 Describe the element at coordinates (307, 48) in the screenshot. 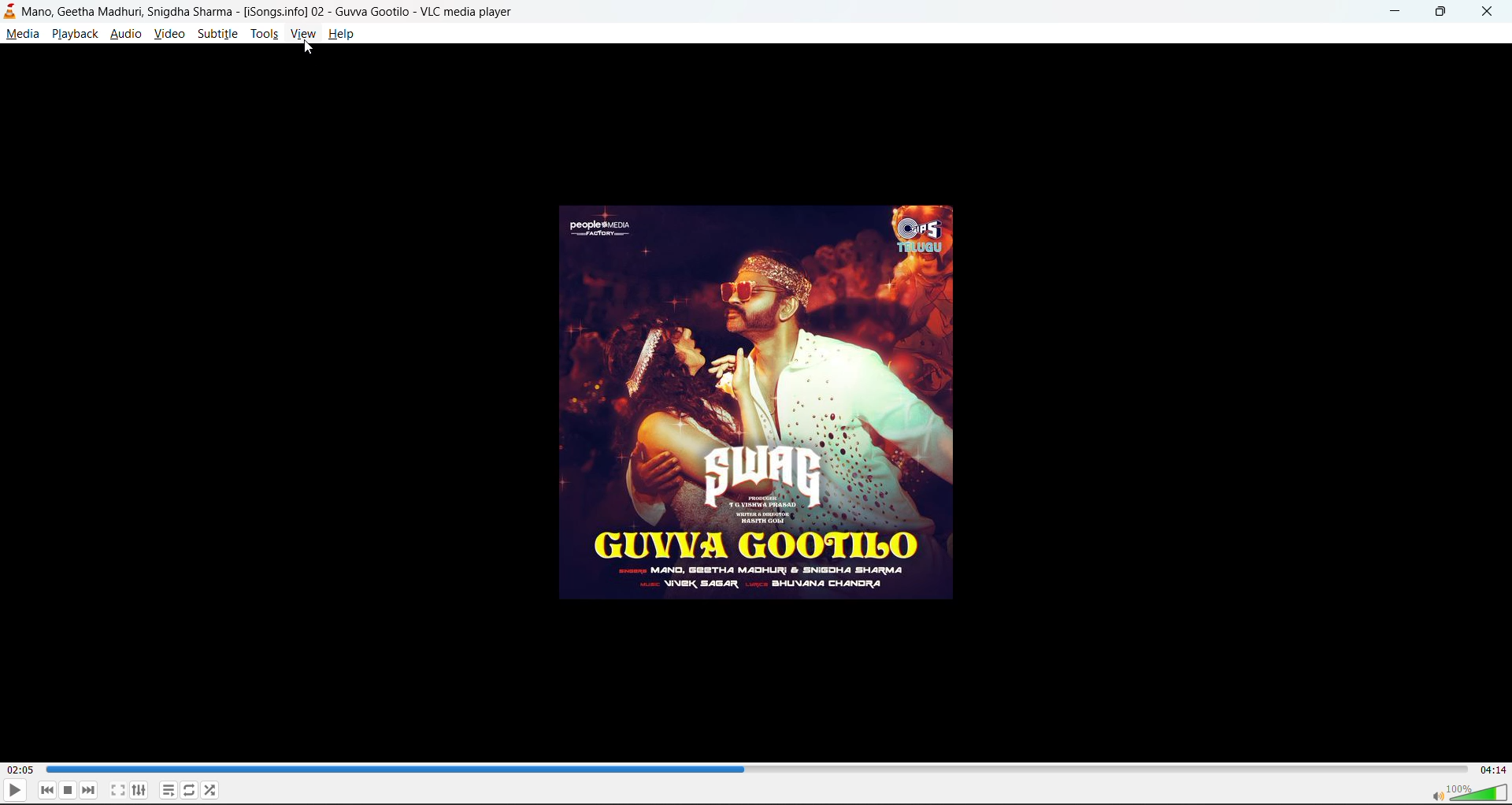

I see `crusor` at that location.